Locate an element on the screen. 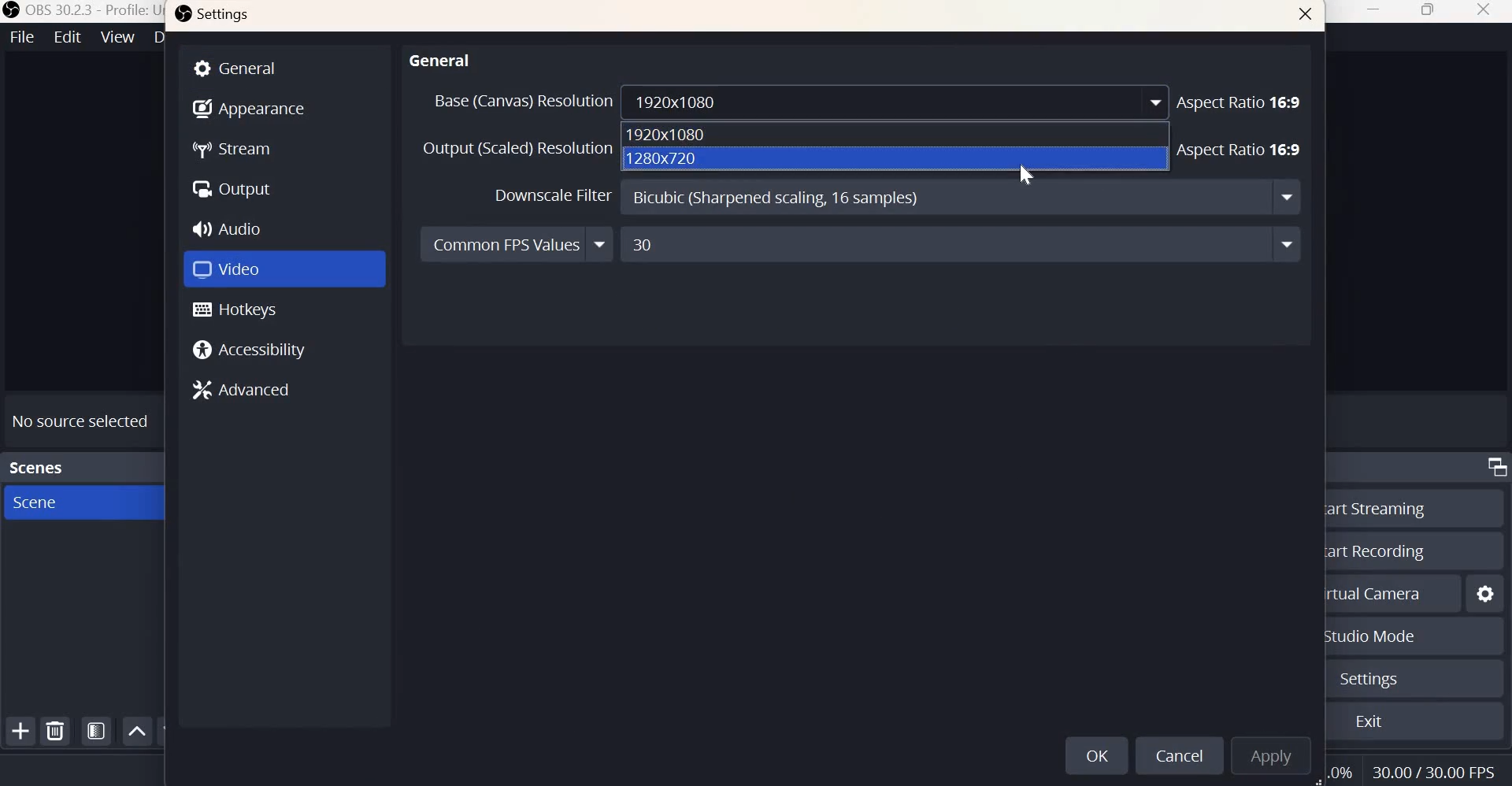 The height and width of the screenshot is (786, 1512). General is located at coordinates (441, 57).